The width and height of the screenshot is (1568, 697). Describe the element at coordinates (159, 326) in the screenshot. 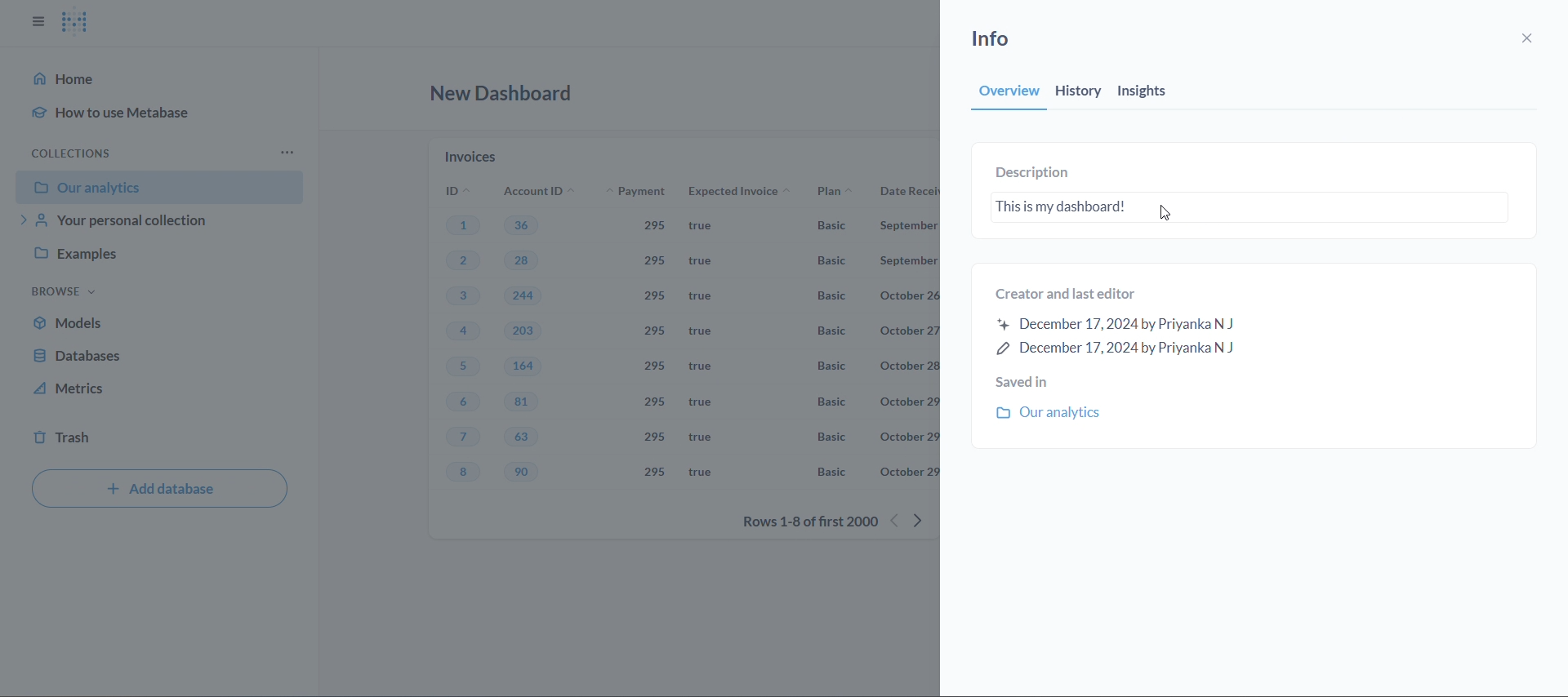

I see `models` at that location.